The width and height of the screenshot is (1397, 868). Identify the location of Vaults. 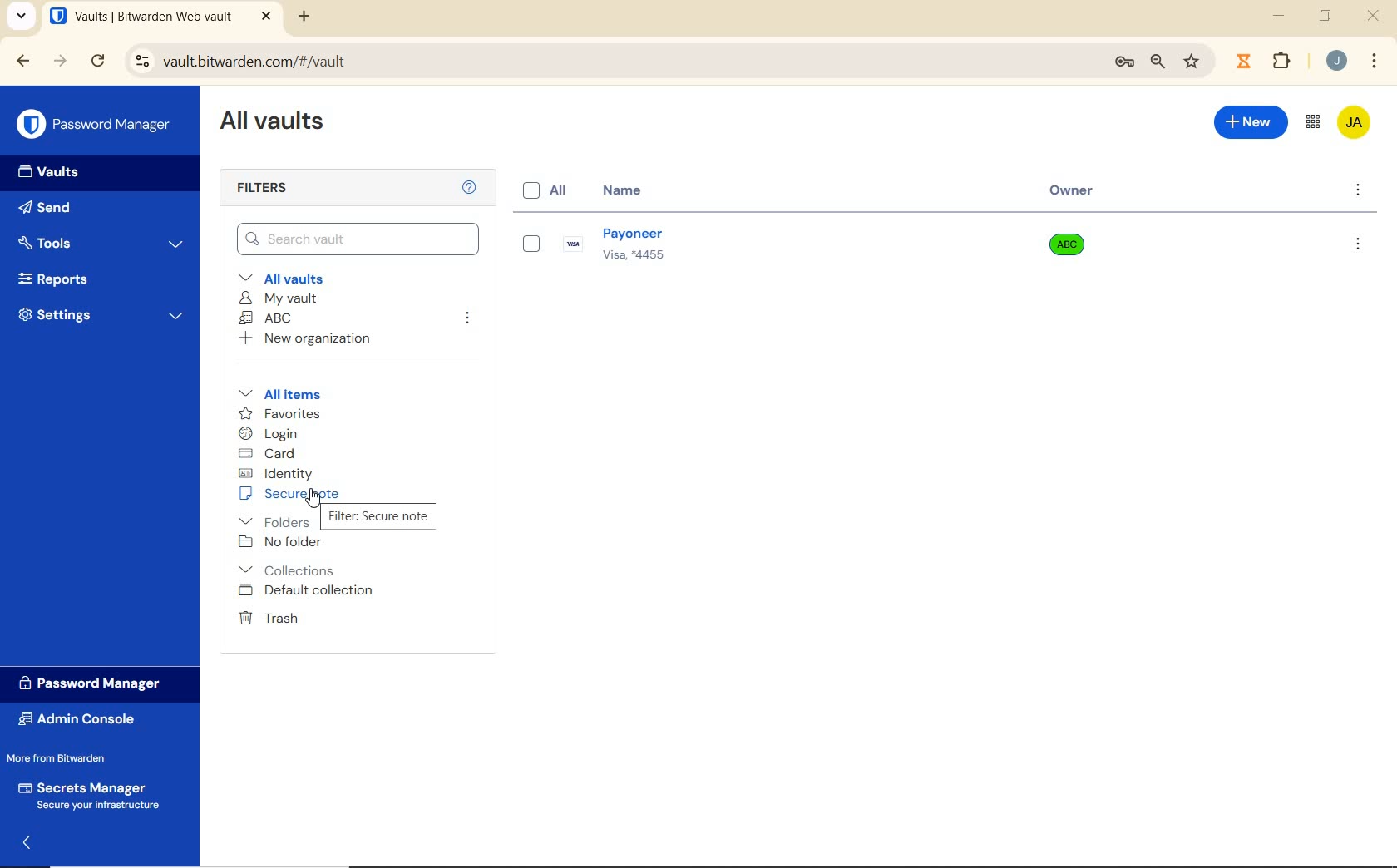
(43, 172).